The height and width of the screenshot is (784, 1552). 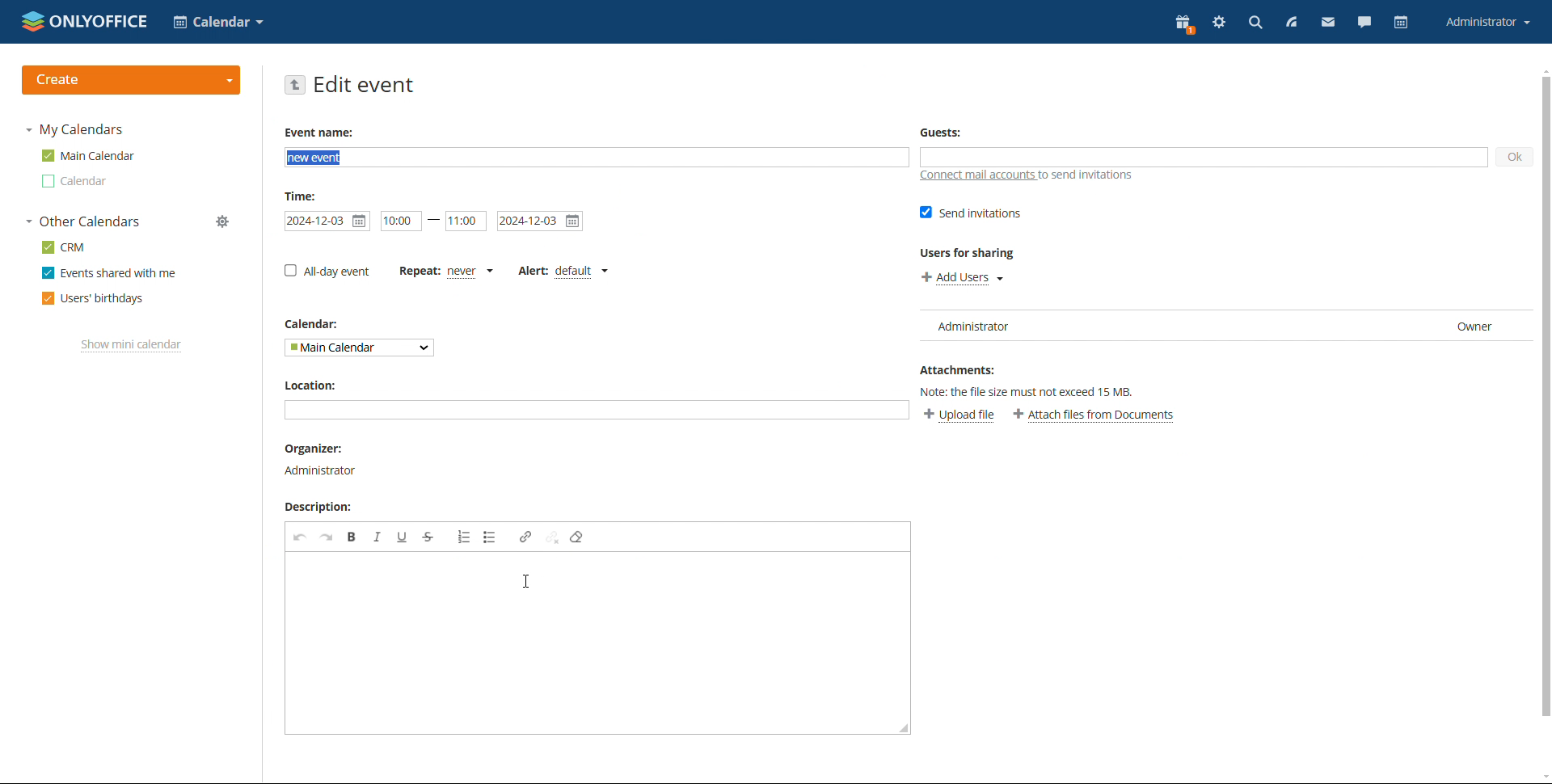 What do you see at coordinates (358, 348) in the screenshot?
I see `select calendar` at bounding box center [358, 348].